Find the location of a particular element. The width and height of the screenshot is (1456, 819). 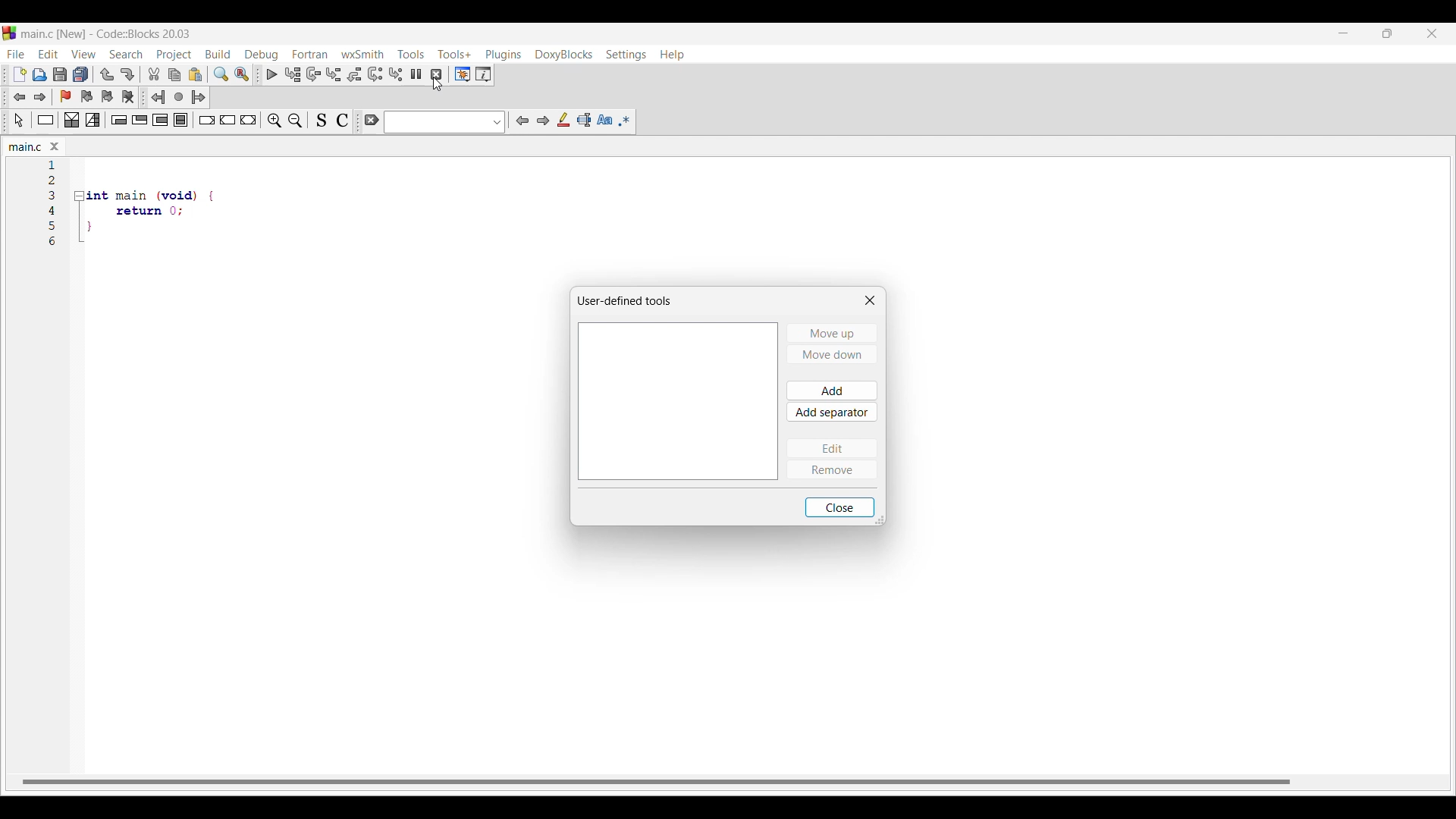

Tools menu is located at coordinates (411, 55).